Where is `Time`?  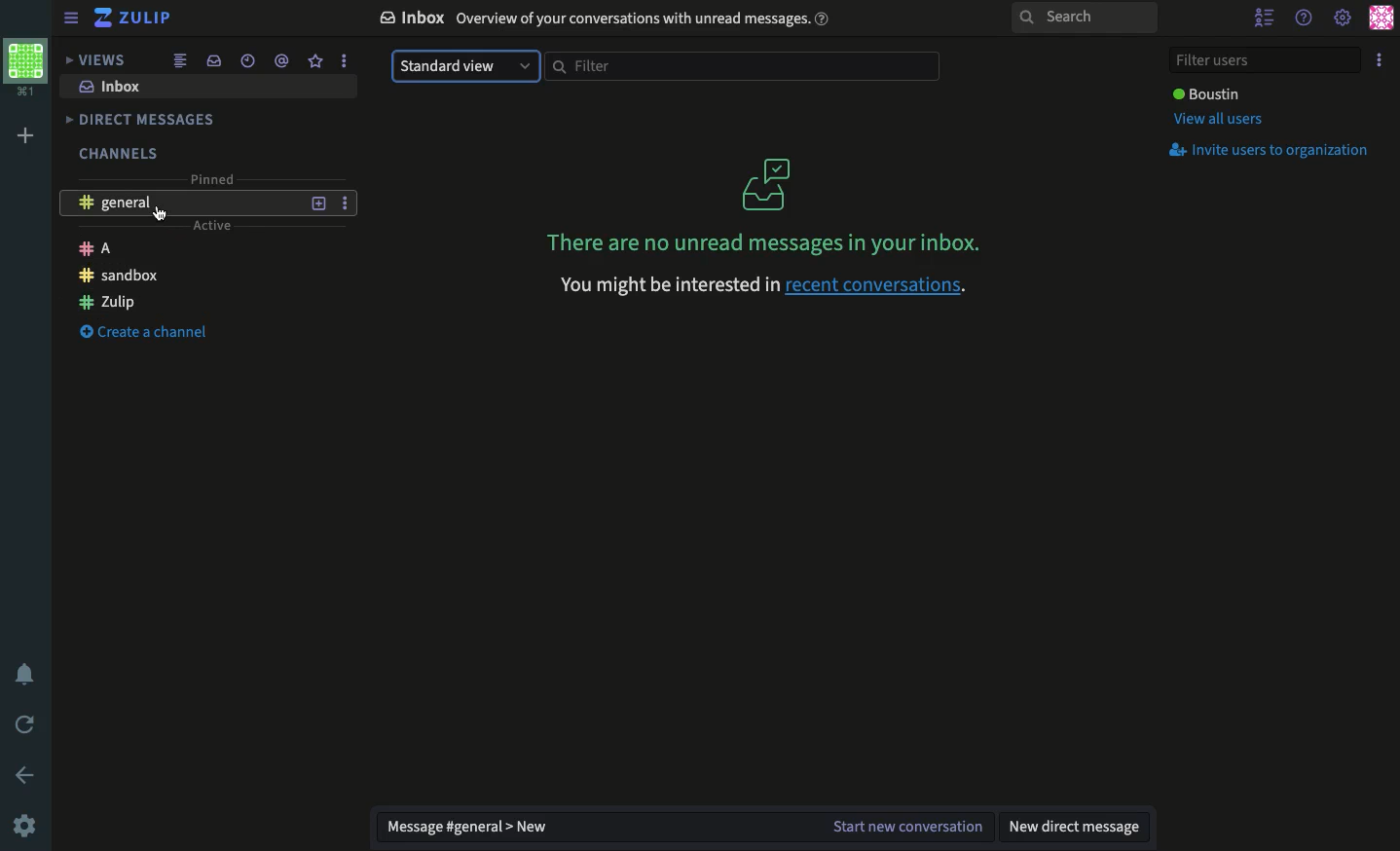 Time is located at coordinates (250, 59).